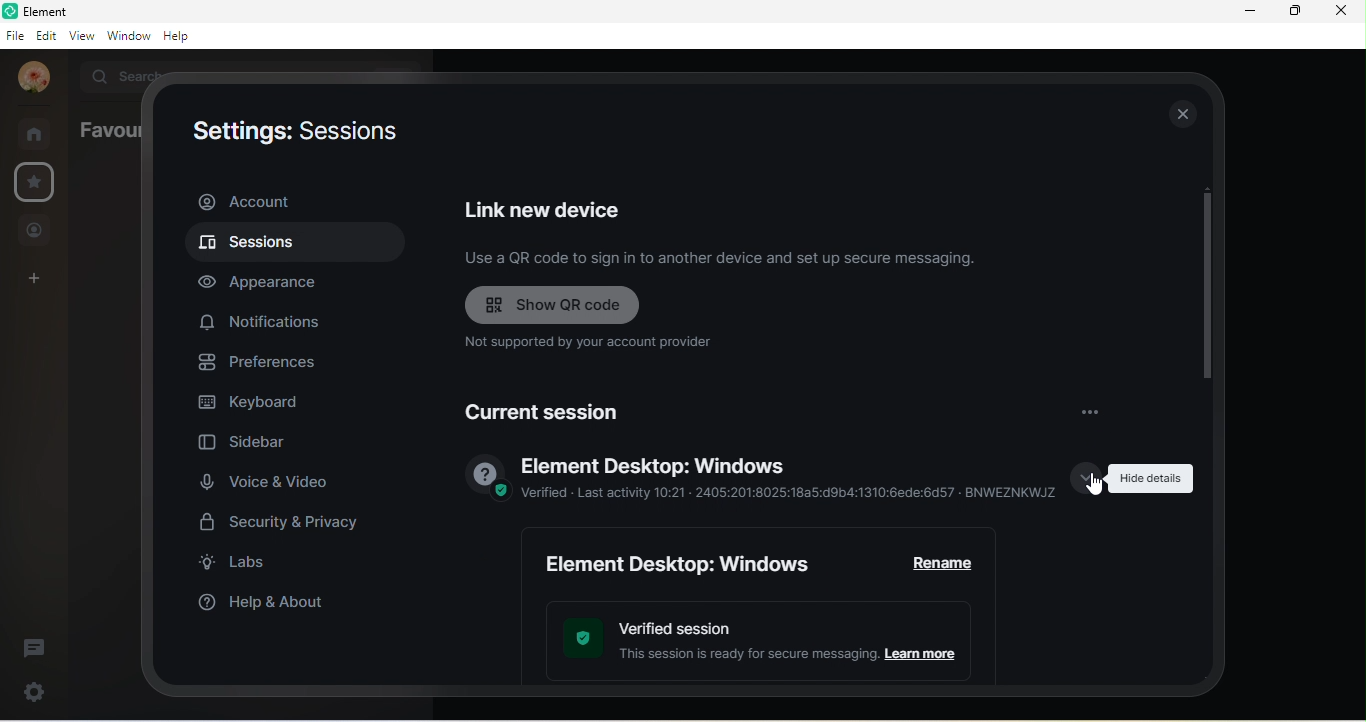  I want to click on cursor movement, so click(1095, 489).